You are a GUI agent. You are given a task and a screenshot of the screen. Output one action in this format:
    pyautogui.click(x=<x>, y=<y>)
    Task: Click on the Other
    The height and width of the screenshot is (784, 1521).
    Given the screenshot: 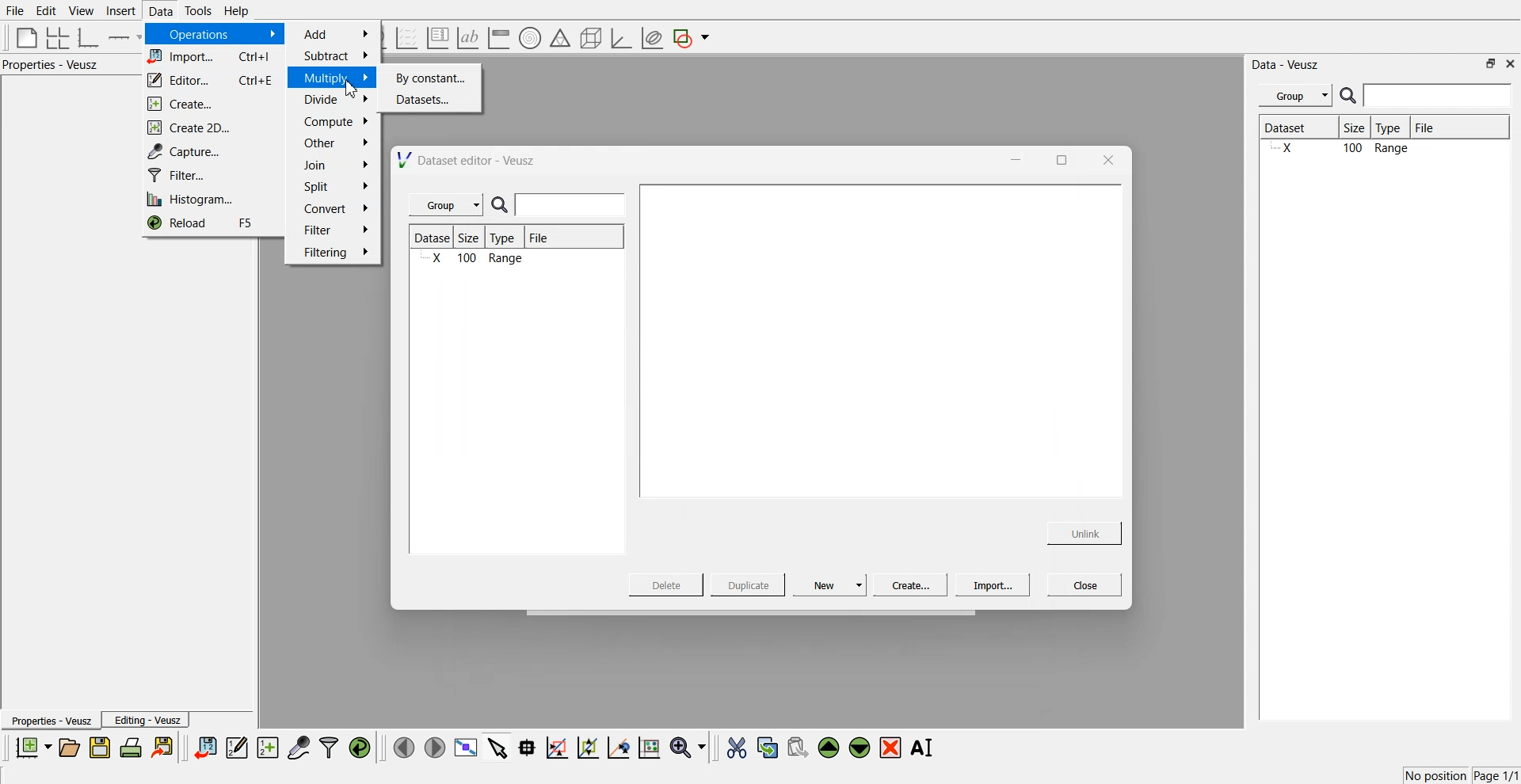 What is the action you would take?
    pyautogui.click(x=336, y=143)
    